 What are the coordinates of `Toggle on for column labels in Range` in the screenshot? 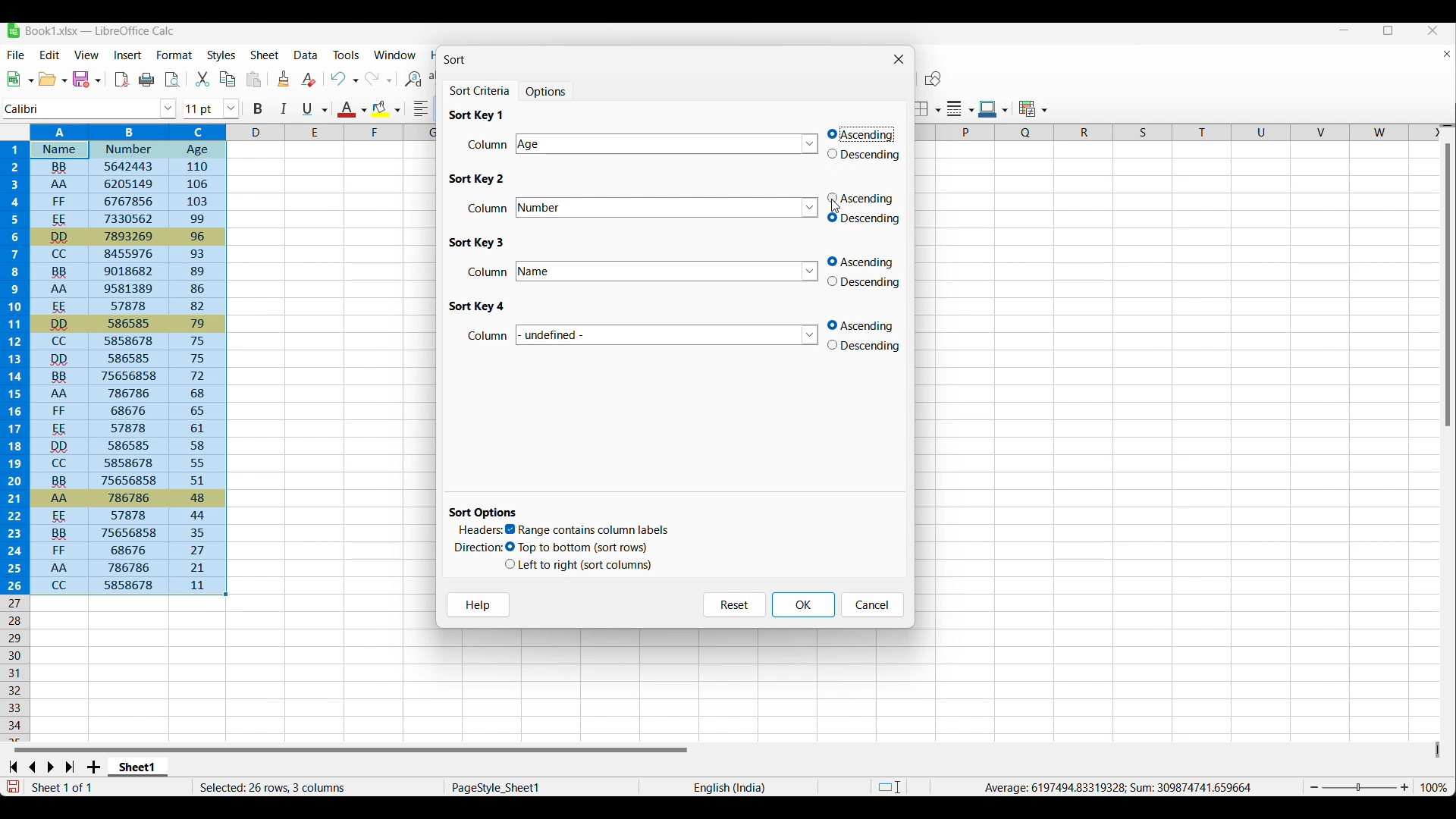 It's located at (588, 530).